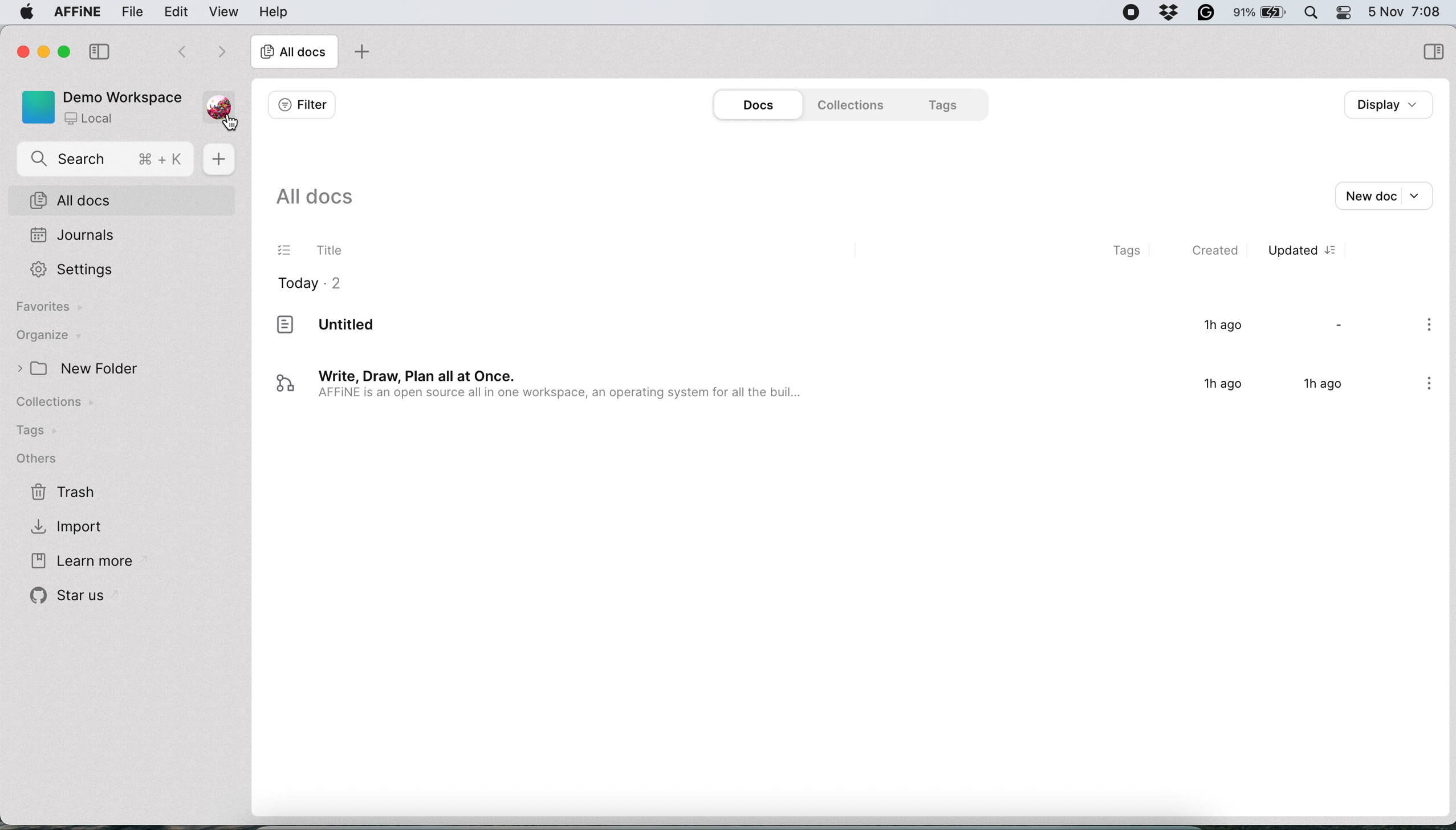 The image size is (1456, 830). I want to click on control center, so click(1348, 14).